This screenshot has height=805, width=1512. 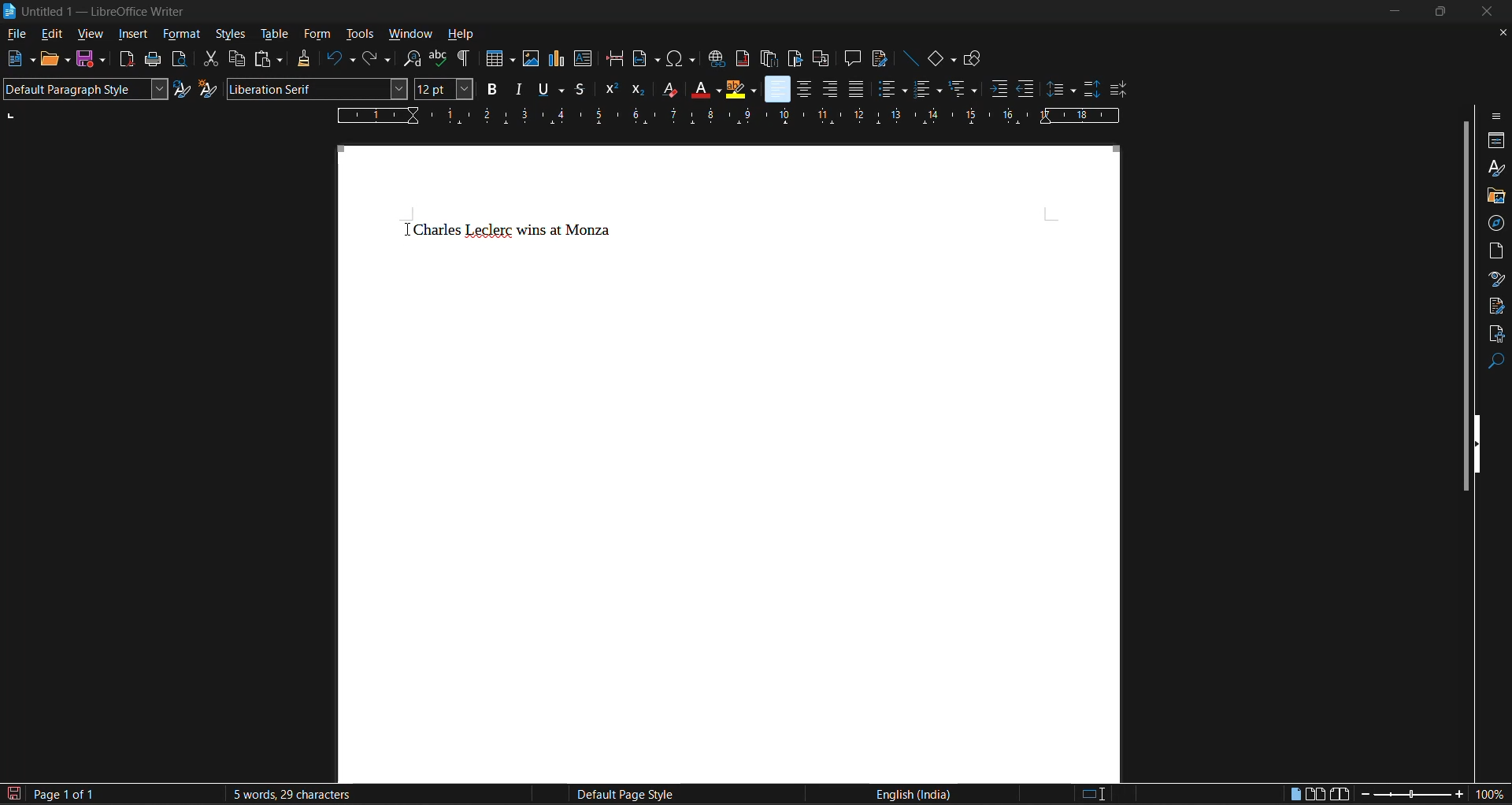 What do you see at coordinates (1090, 90) in the screenshot?
I see `increase paragraph spacing` at bounding box center [1090, 90].